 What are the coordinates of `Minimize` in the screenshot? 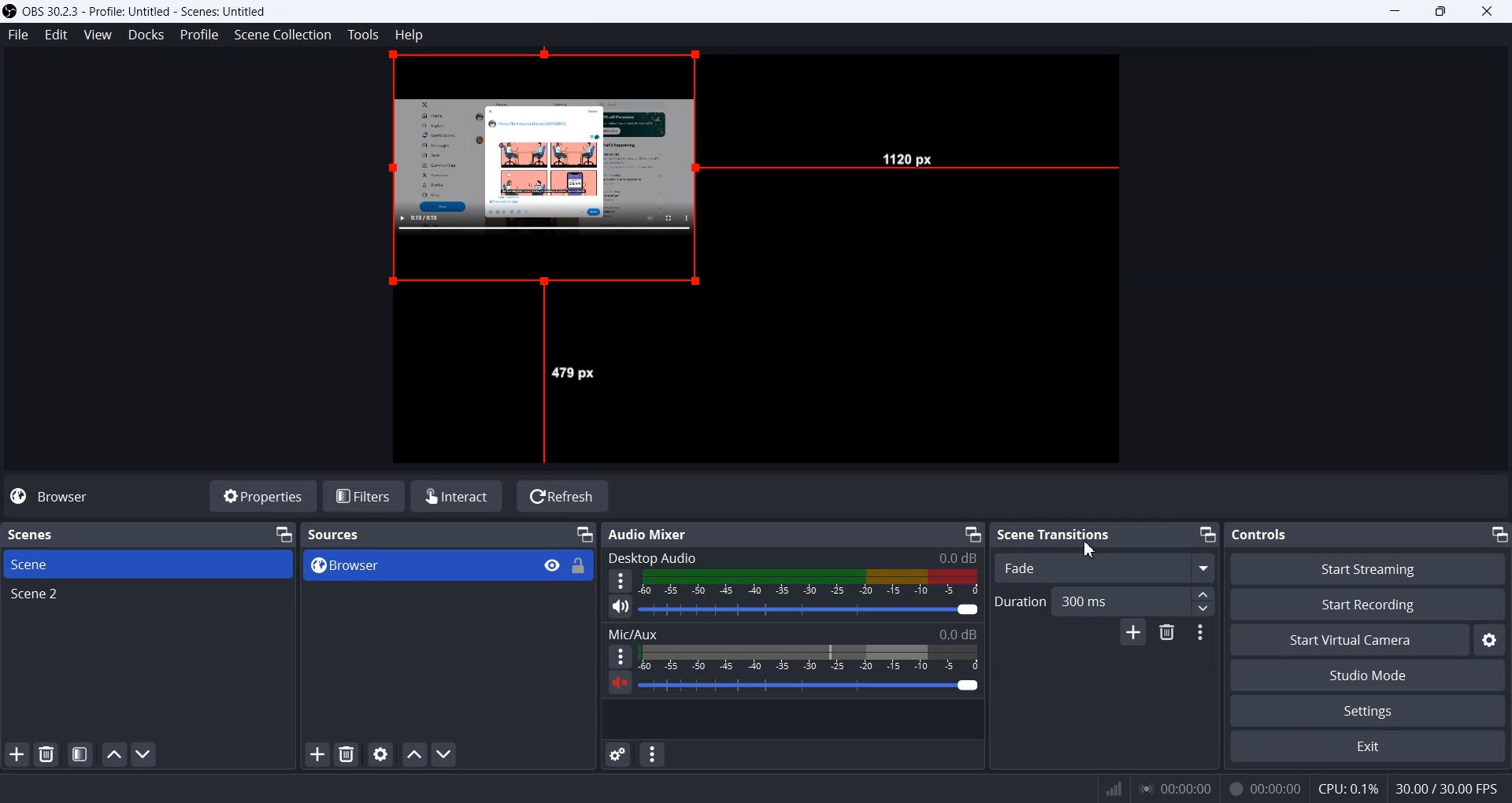 It's located at (1208, 535).